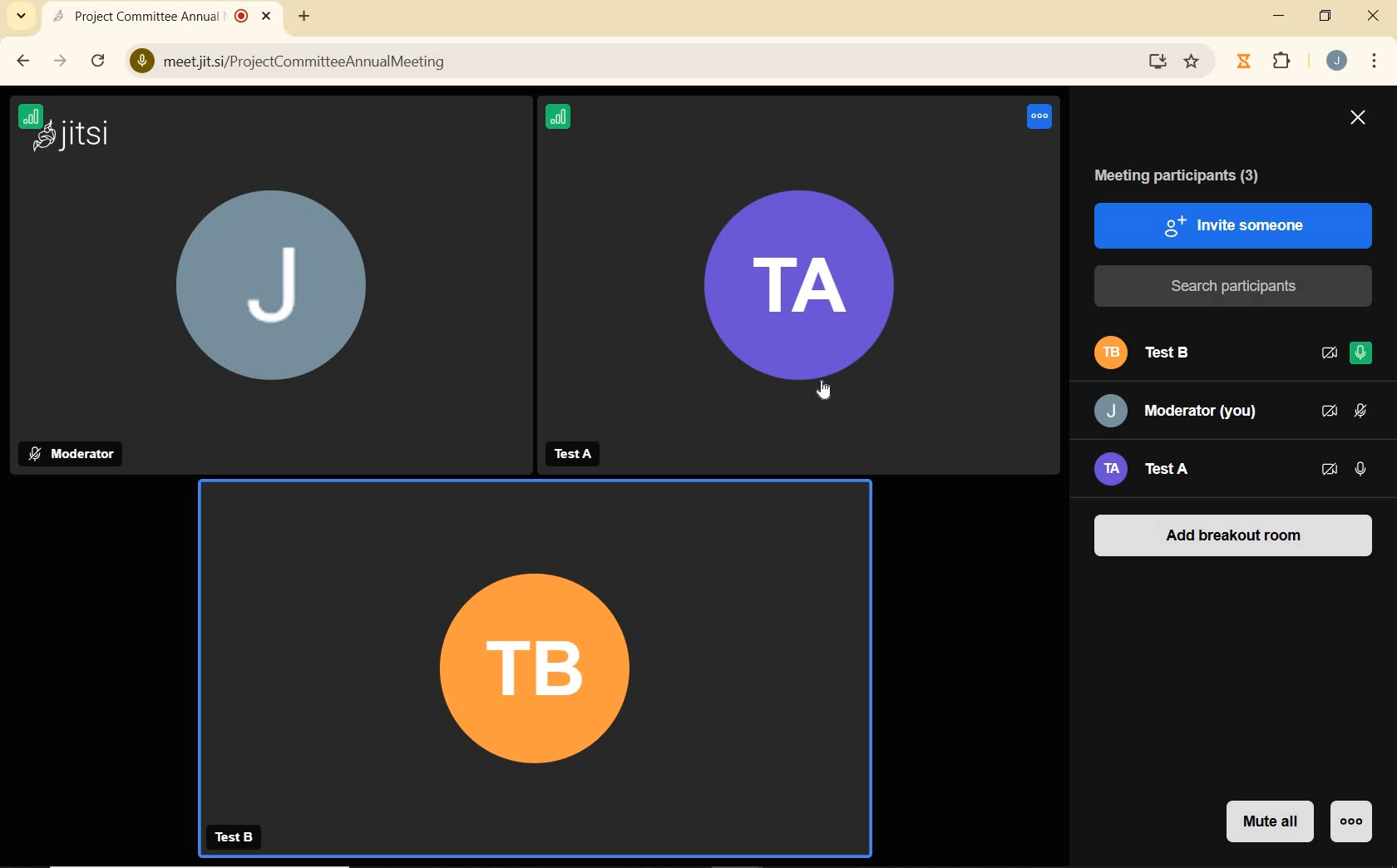 The height and width of the screenshot is (868, 1397). What do you see at coordinates (1235, 286) in the screenshot?
I see `SEARCH PARTICIPANTS` at bounding box center [1235, 286].